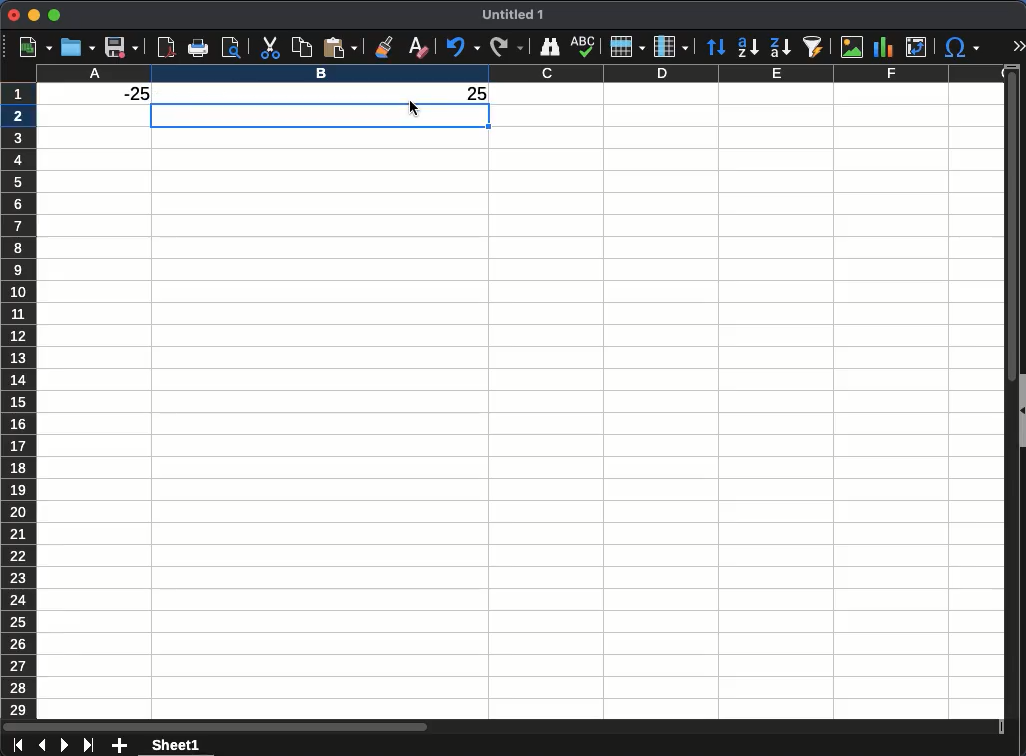 Image resolution: width=1026 pixels, height=756 pixels. What do you see at coordinates (671, 45) in the screenshot?
I see `column` at bounding box center [671, 45].